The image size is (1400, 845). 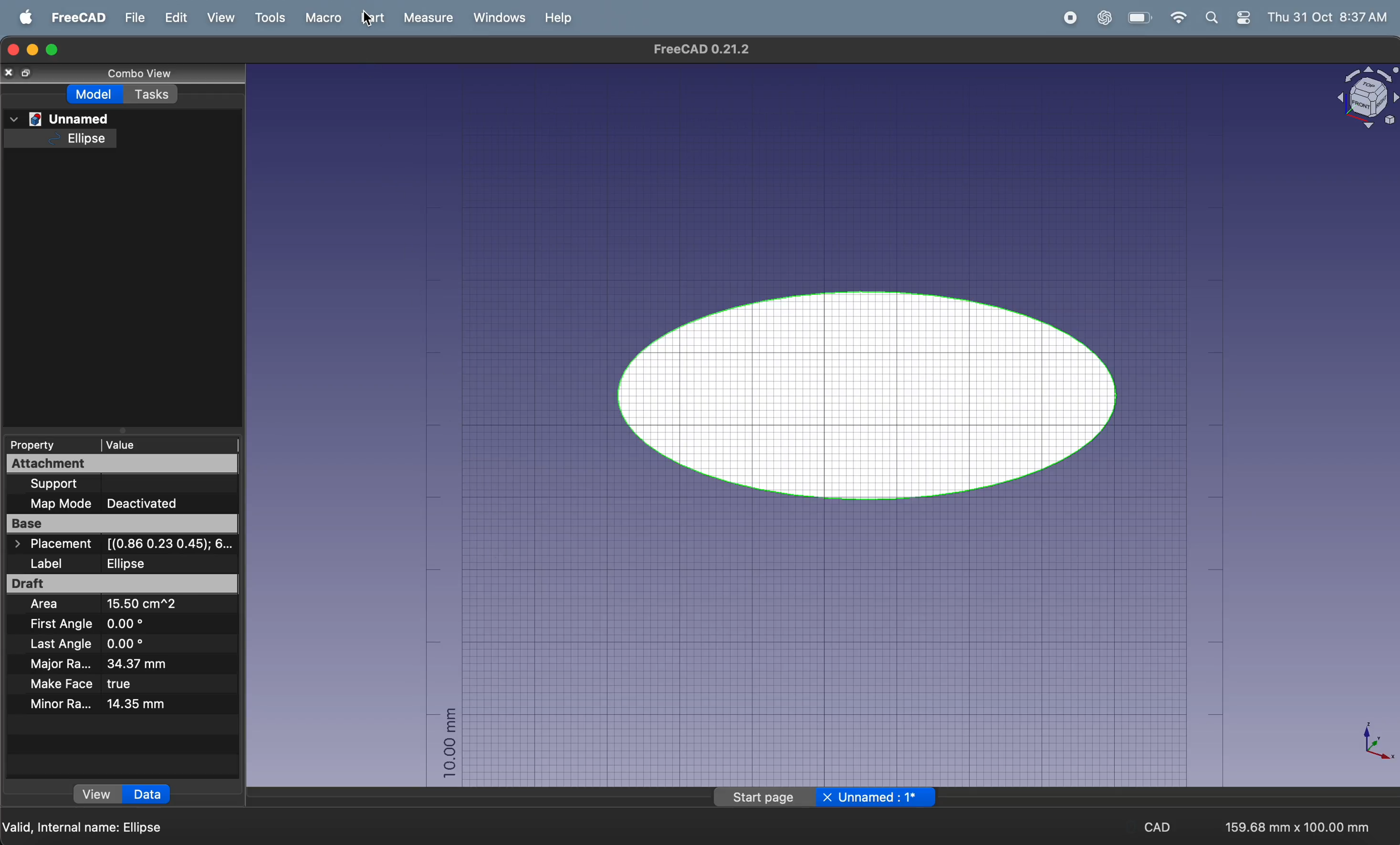 What do you see at coordinates (697, 49) in the screenshot?
I see `Freecad 0.2712` at bounding box center [697, 49].